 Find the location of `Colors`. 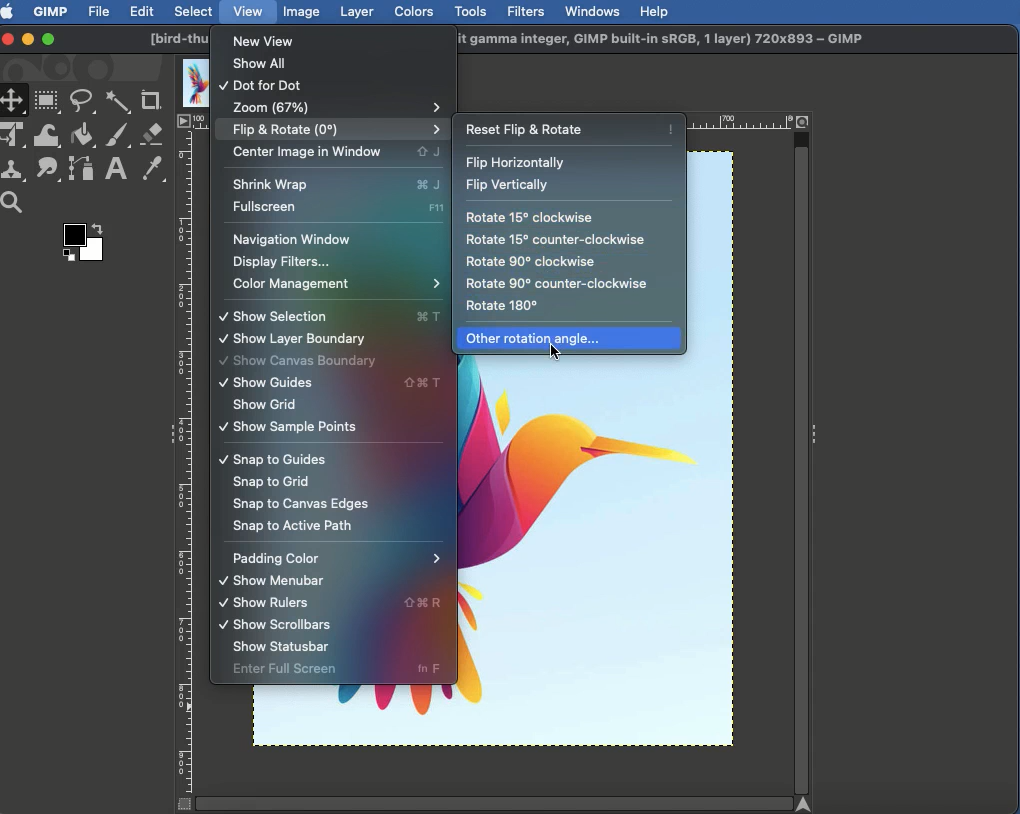

Colors is located at coordinates (415, 11).